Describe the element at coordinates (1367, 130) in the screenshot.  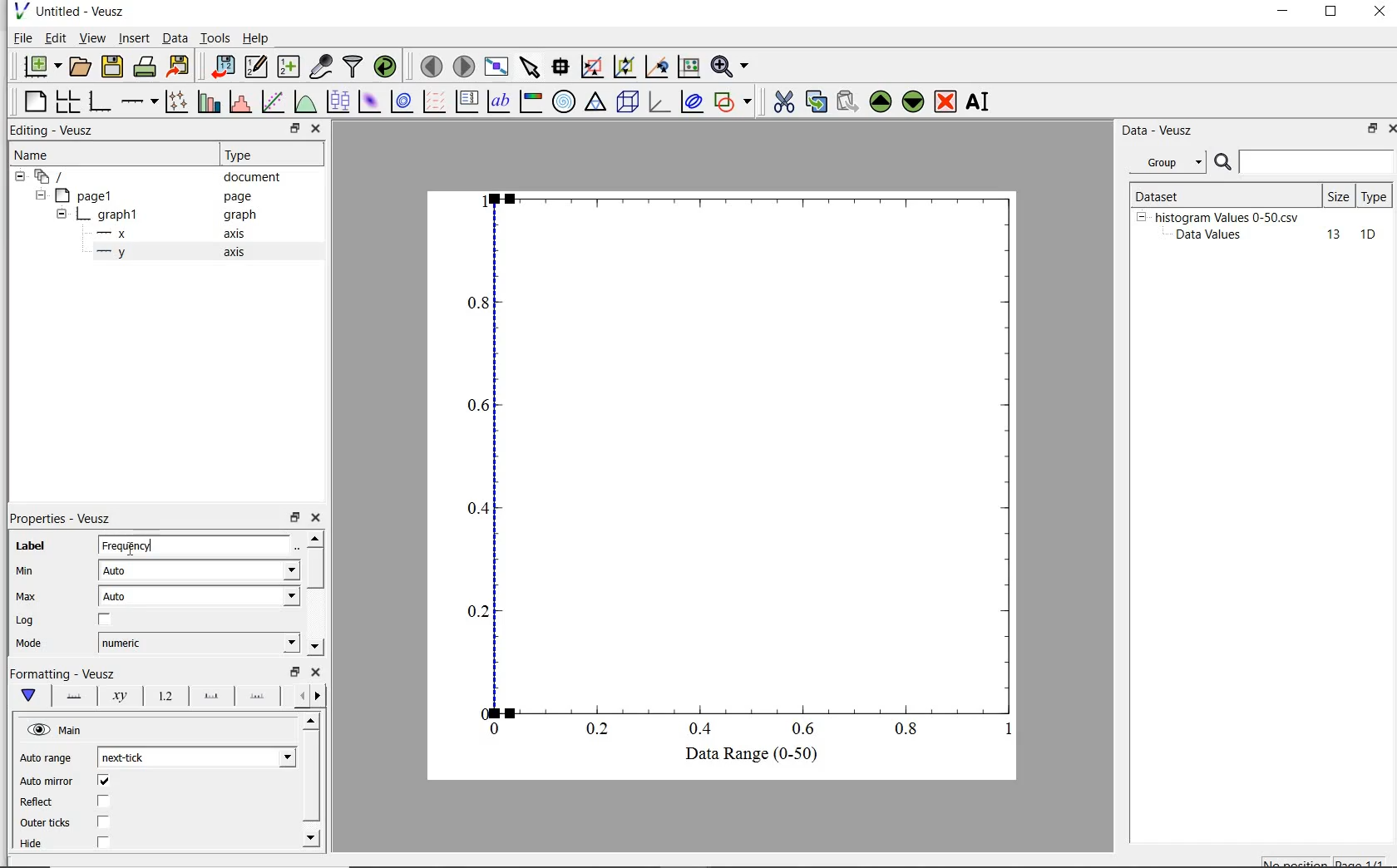
I see `restore down` at that location.